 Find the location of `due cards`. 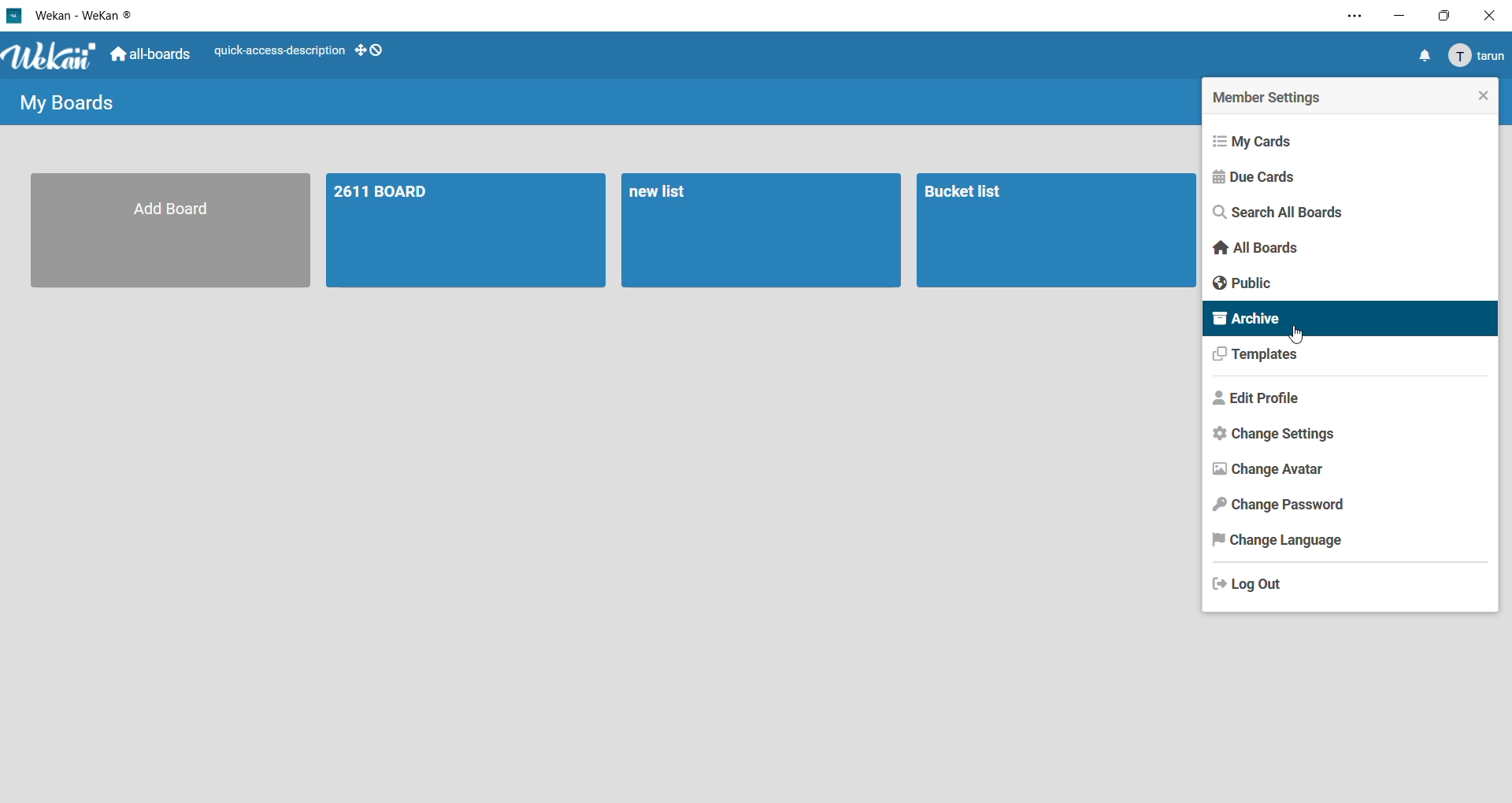

due cards is located at coordinates (1261, 176).